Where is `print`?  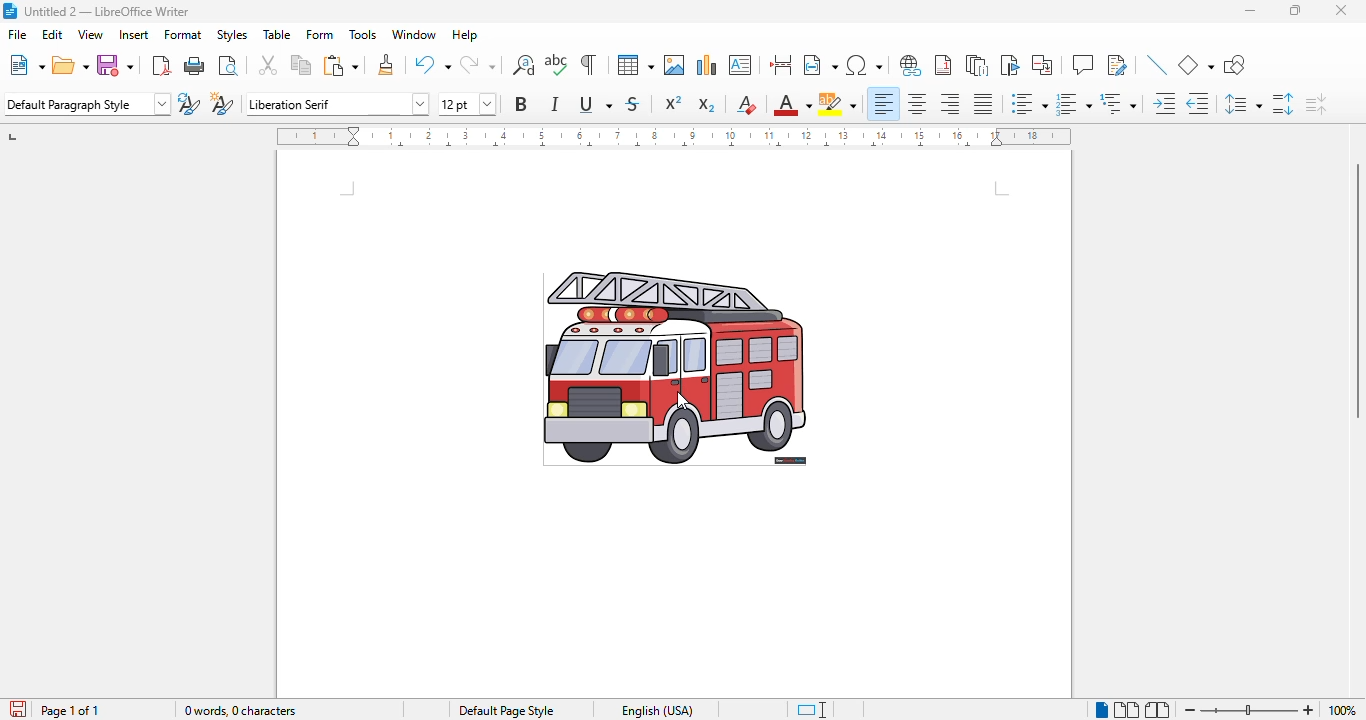 print is located at coordinates (195, 66).